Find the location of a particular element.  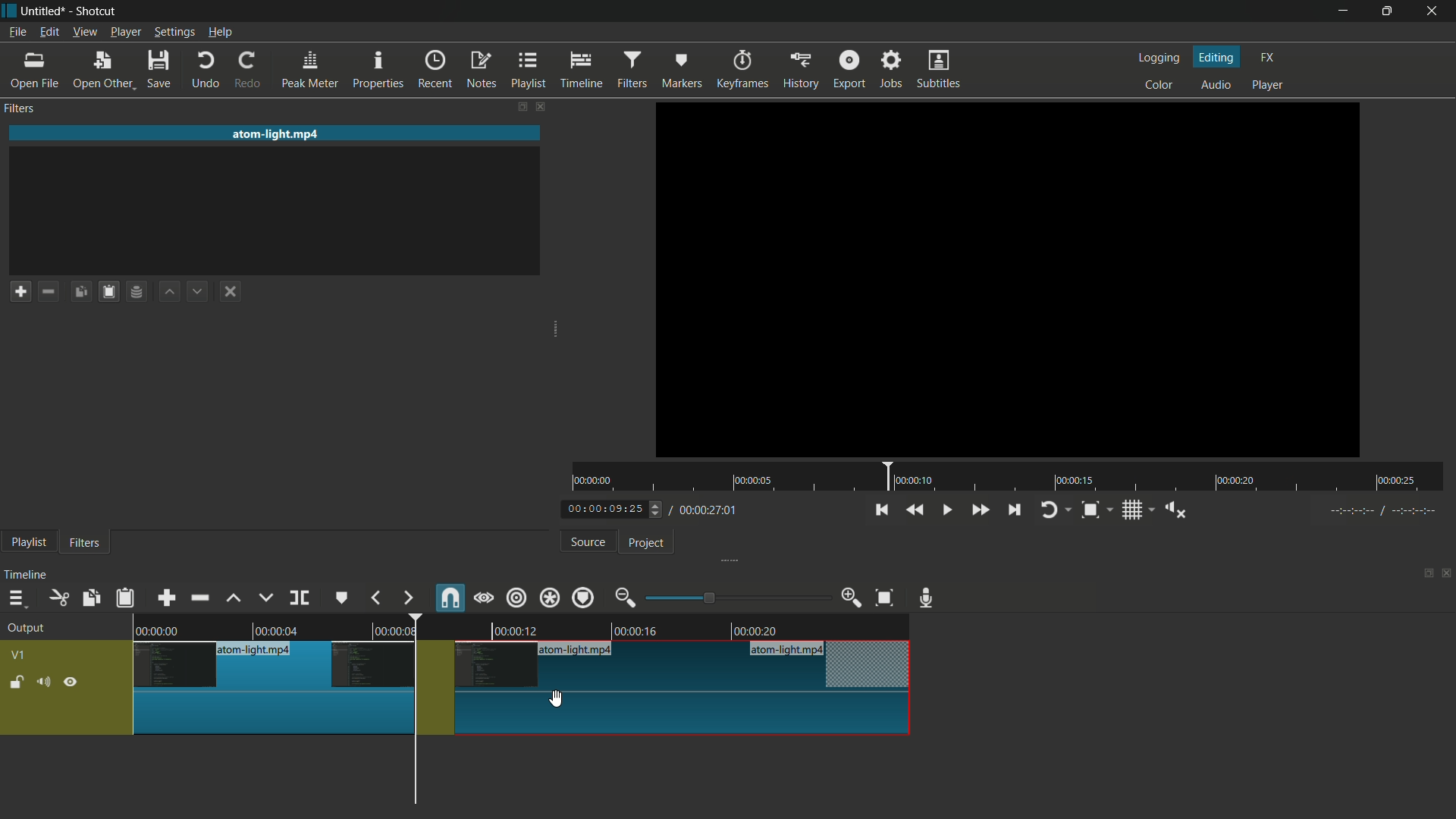

save filter set is located at coordinates (140, 293).